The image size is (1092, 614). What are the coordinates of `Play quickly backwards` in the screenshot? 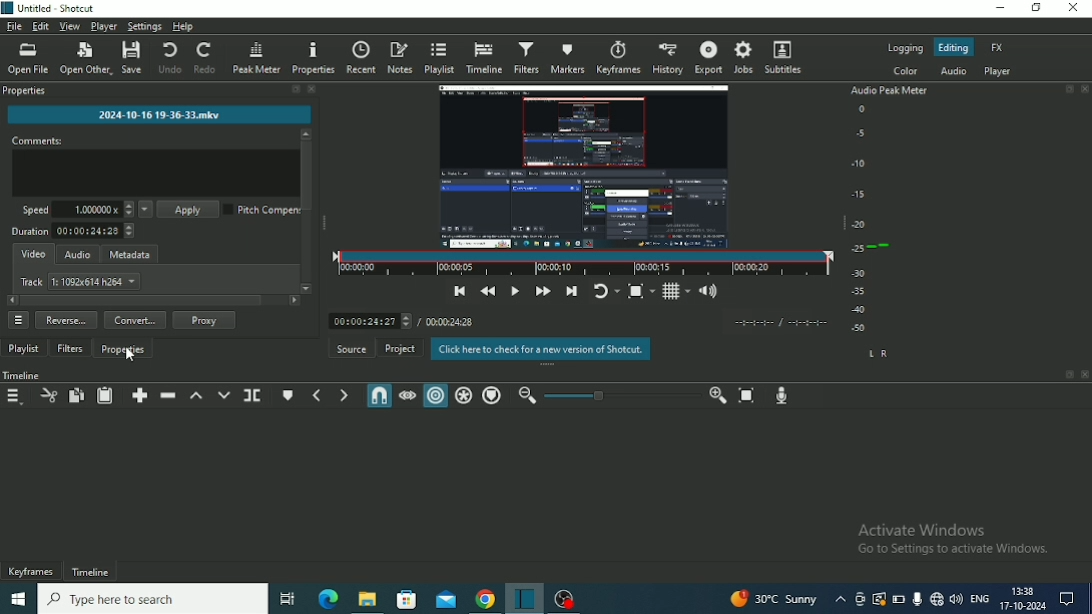 It's located at (488, 292).